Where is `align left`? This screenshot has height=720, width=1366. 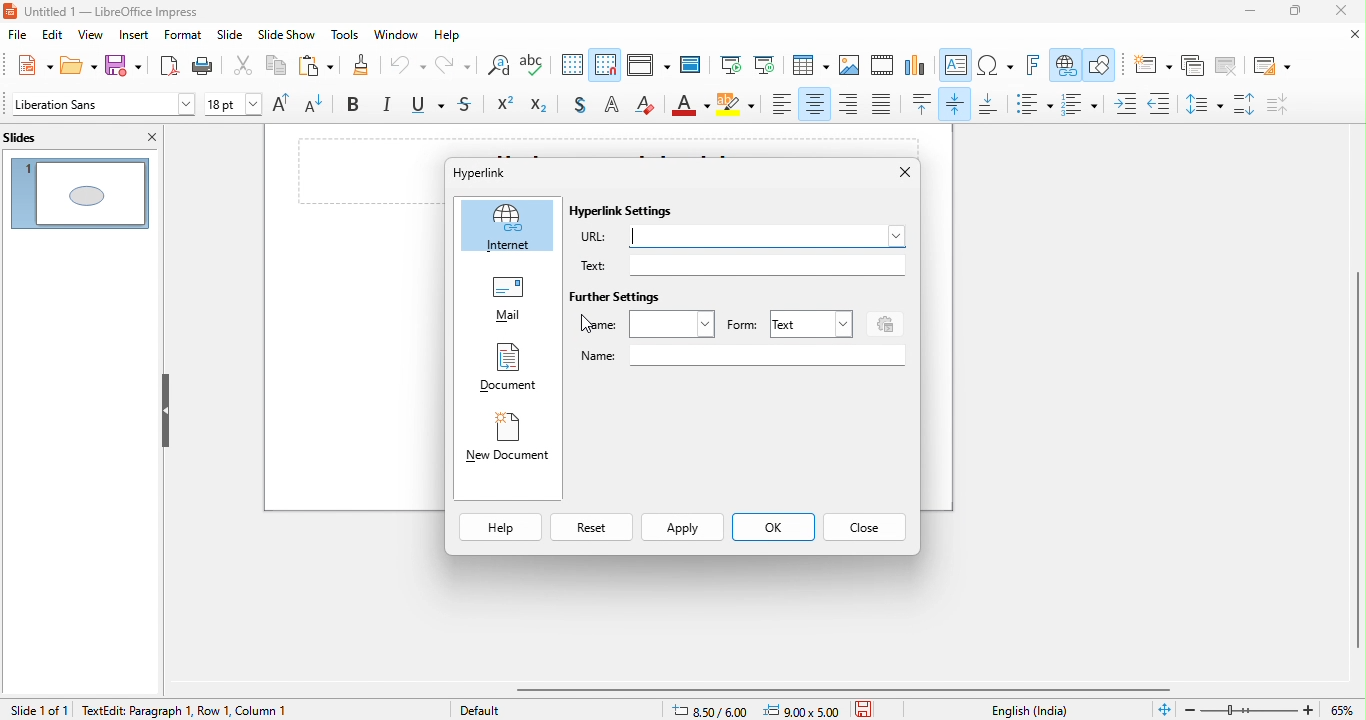
align left is located at coordinates (782, 104).